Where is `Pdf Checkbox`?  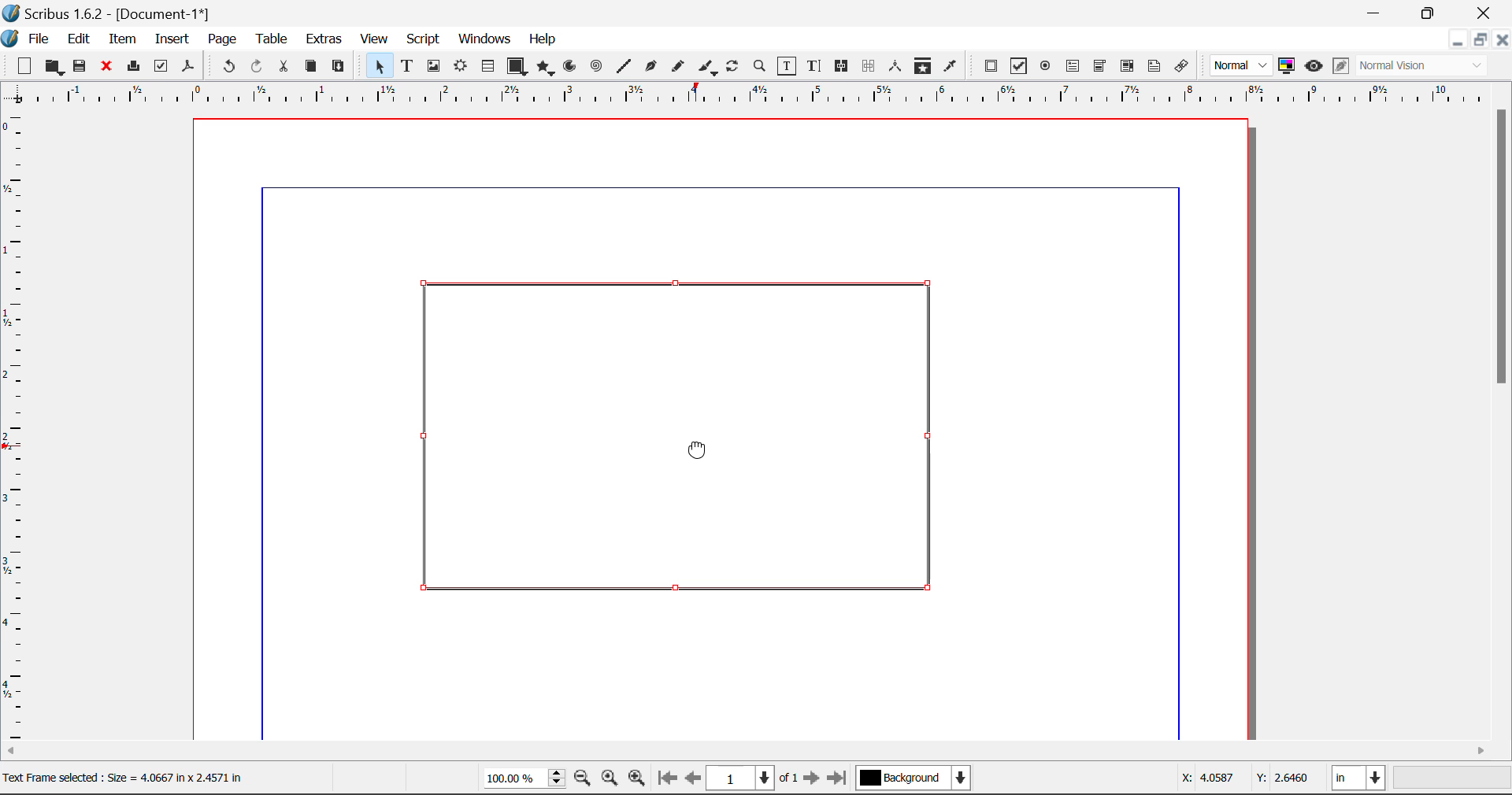 Pdf Checkbox is located at coordinates (1019, 66).